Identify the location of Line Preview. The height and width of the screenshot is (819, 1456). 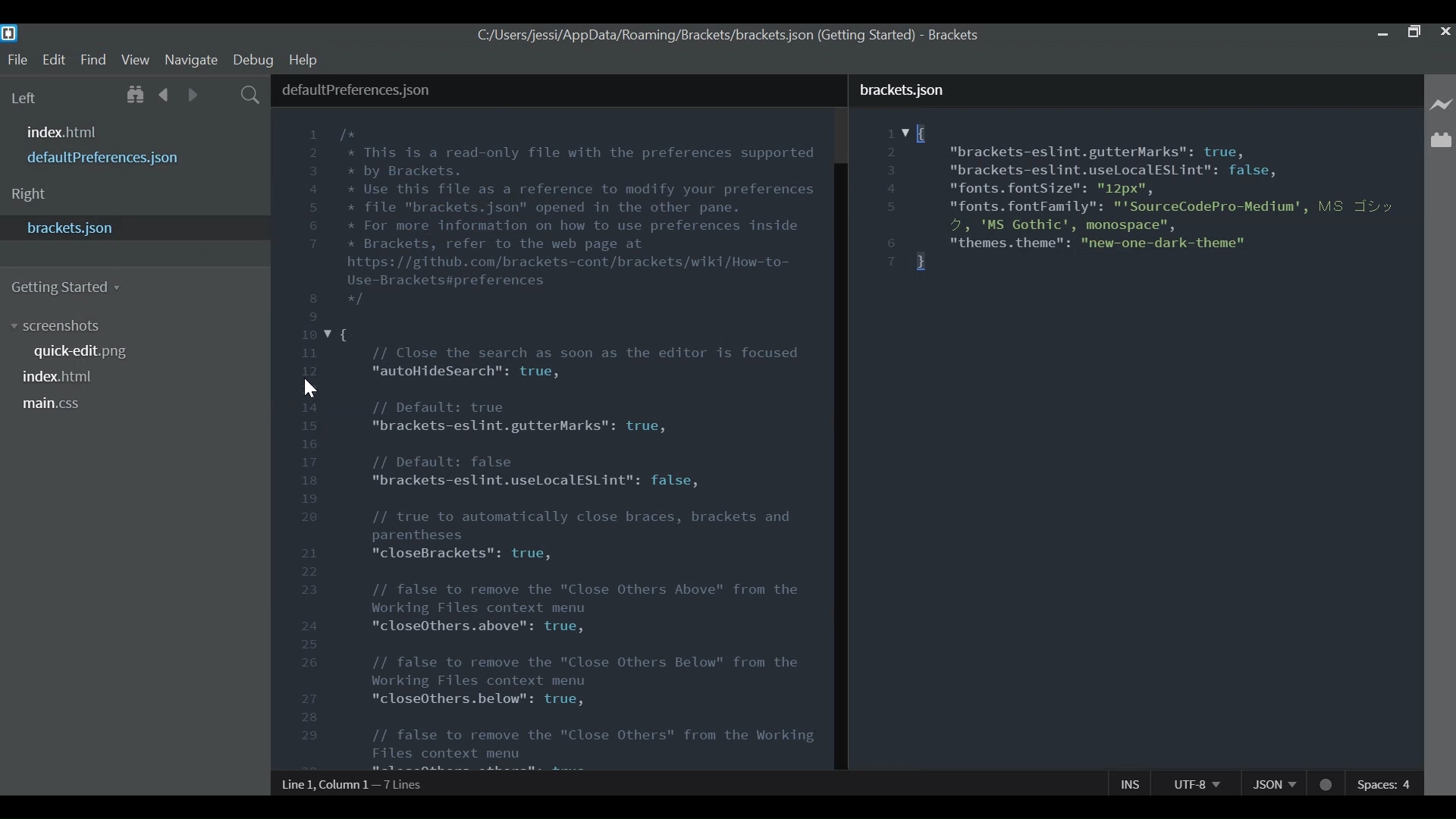
(1442, 106).